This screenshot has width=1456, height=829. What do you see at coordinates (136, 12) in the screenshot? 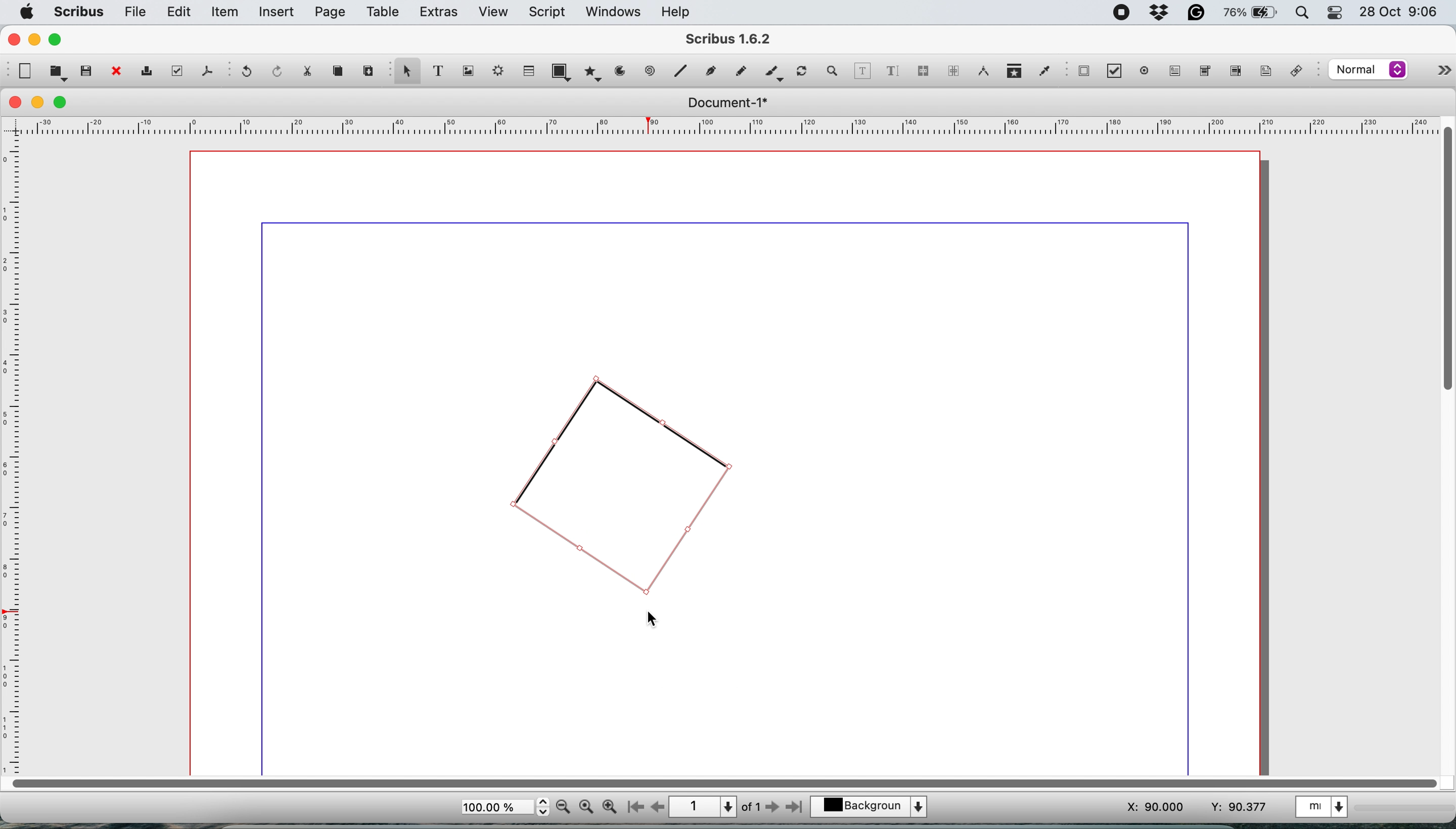
I see `file` at bounding box center [136, 12].